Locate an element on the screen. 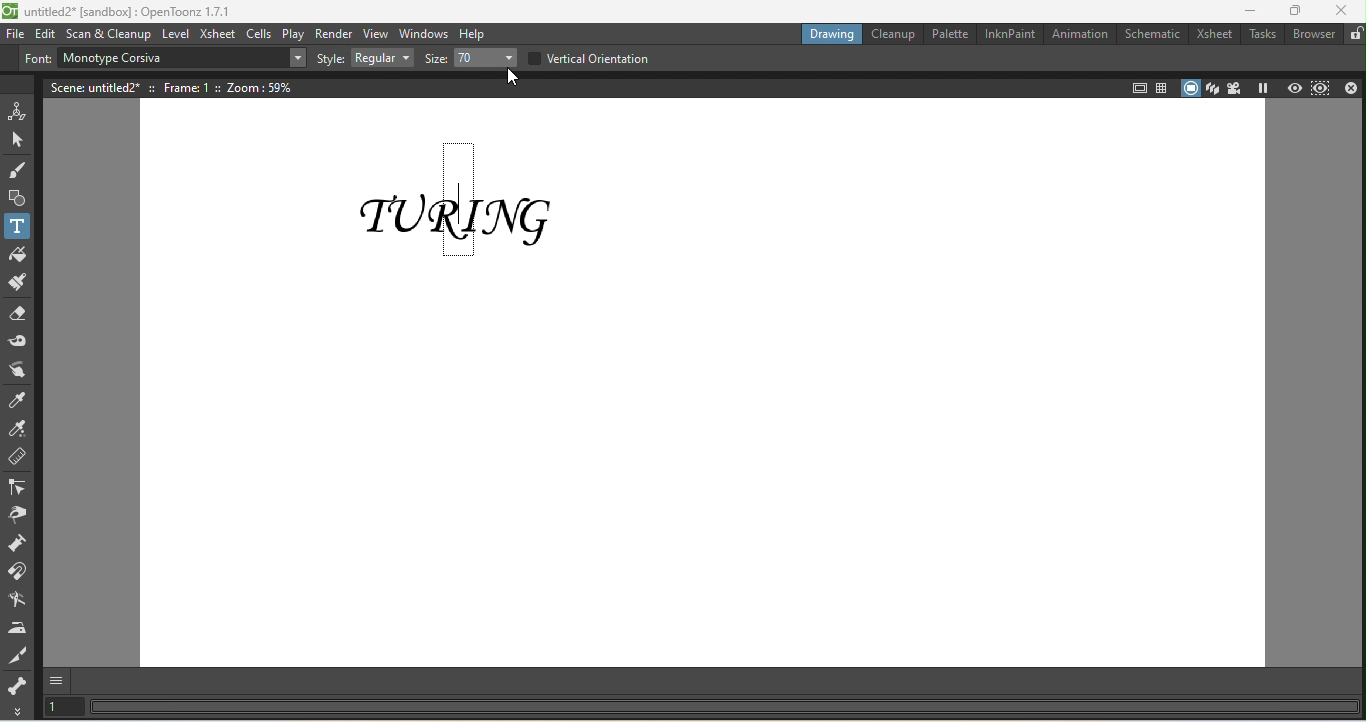  Minimize is located at coordinates (1242, 11).